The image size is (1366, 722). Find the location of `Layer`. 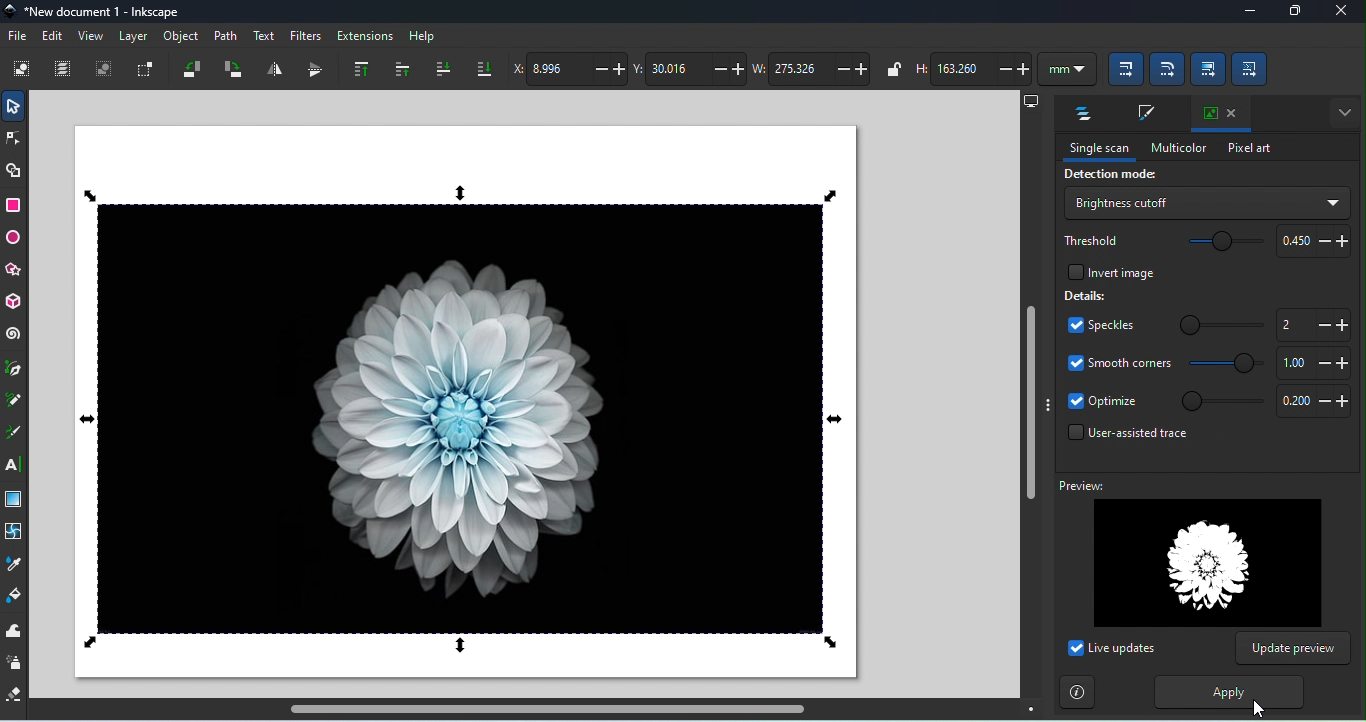

Layer is located at coordinates (137, 39).